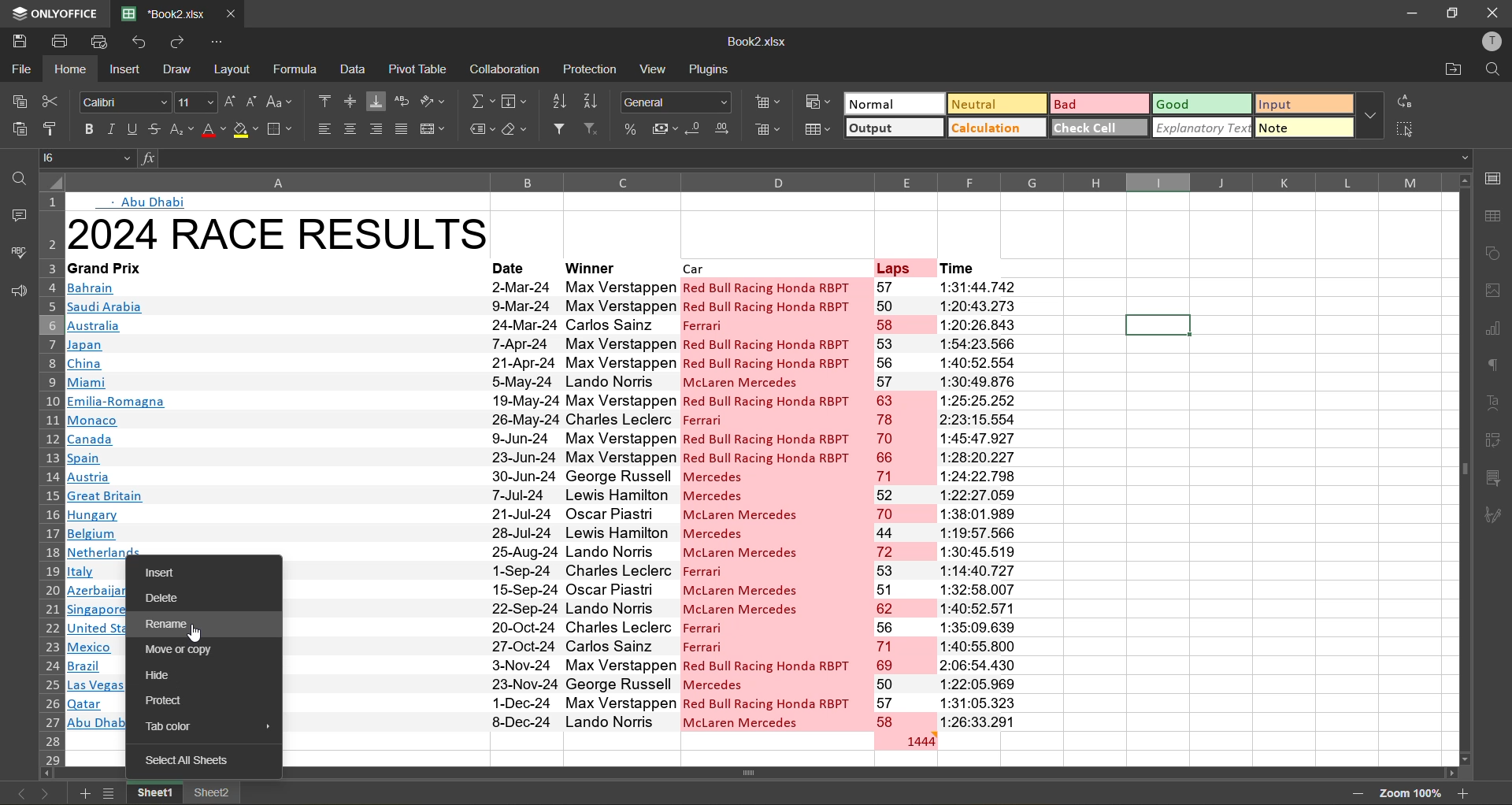 The image size is (1512, 805). Describe the element at coordinates (775, 503) in the screenshot. I see `car name` at that location.